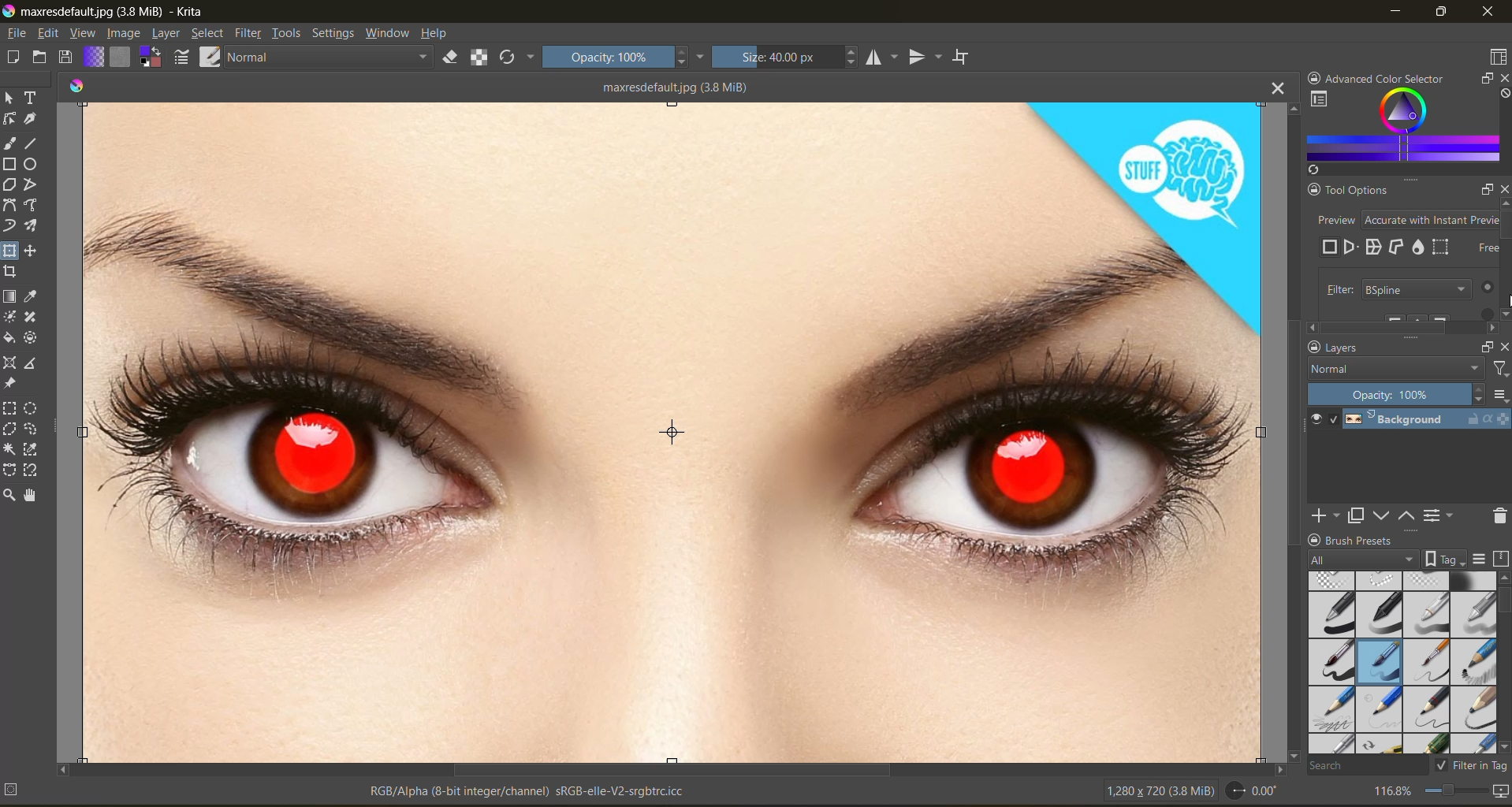 The height and width of the screenshot is (807, 1512). What do you see at coordinates (1499, 395) in the screenshot?
I see `options` at bounding box center [1499, 395].